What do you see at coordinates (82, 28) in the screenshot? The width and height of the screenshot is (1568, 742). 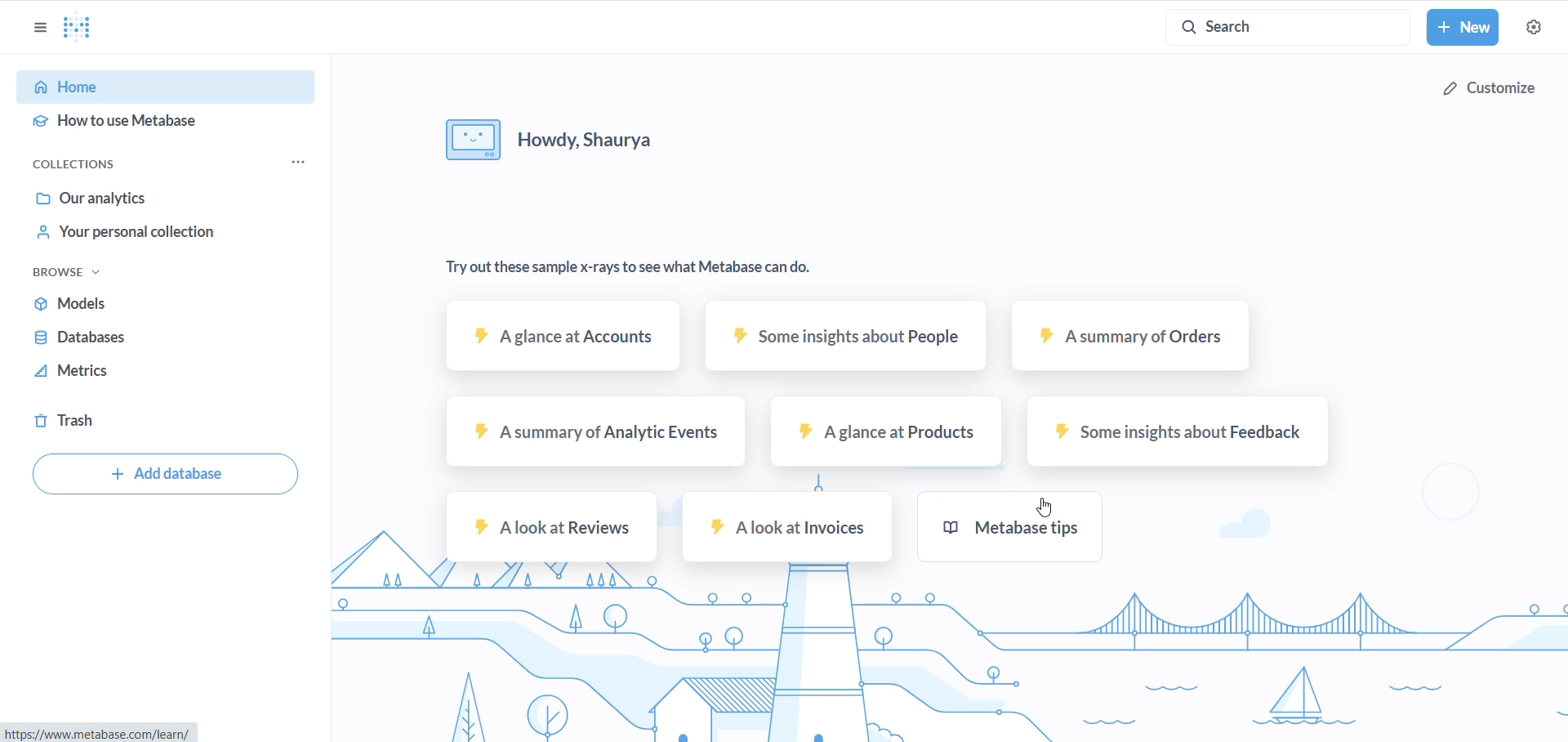 I see `LOGO` at bounding box center [82, 28].